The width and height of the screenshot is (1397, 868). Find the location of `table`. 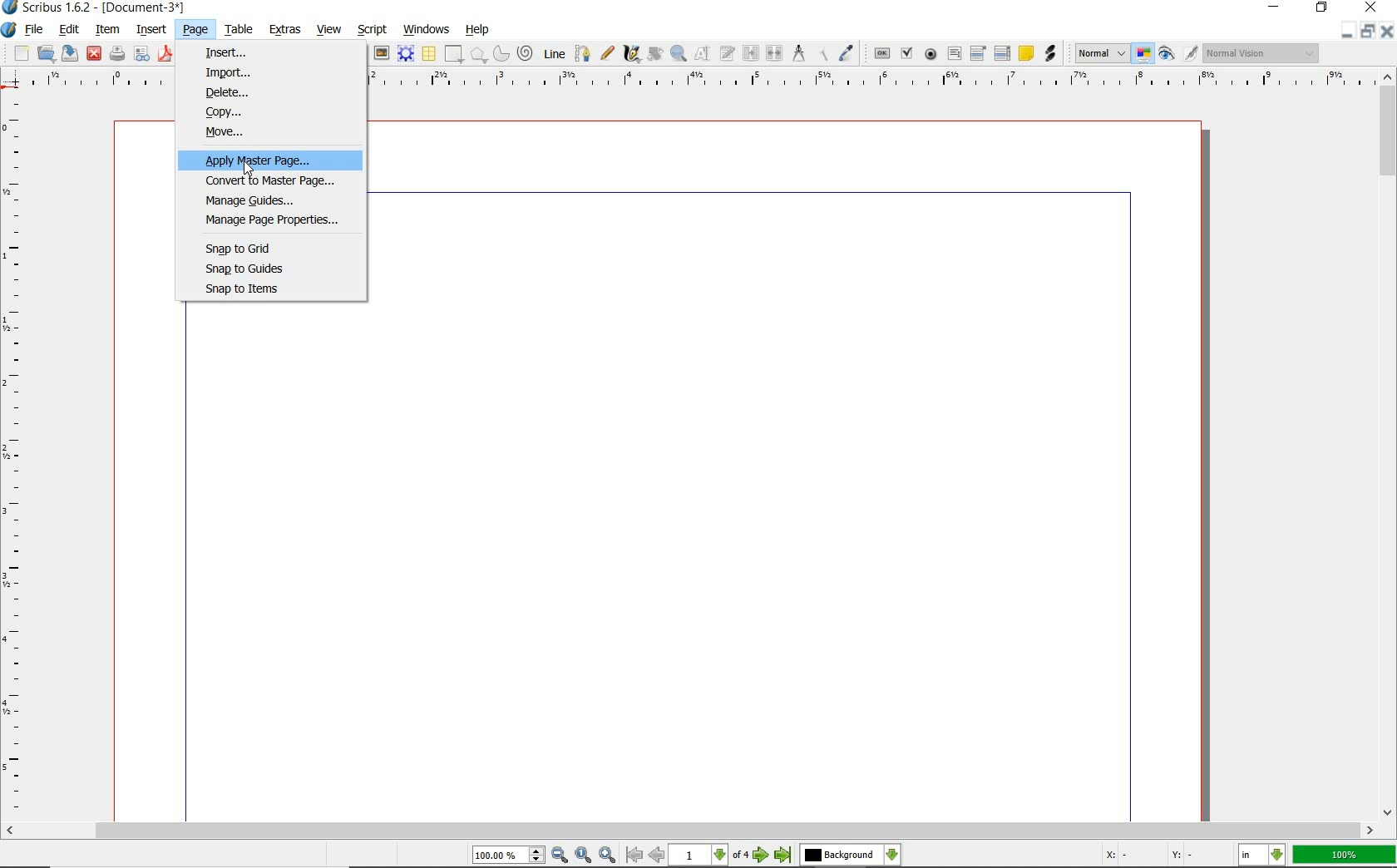

table is located at coordinates (428, 53).